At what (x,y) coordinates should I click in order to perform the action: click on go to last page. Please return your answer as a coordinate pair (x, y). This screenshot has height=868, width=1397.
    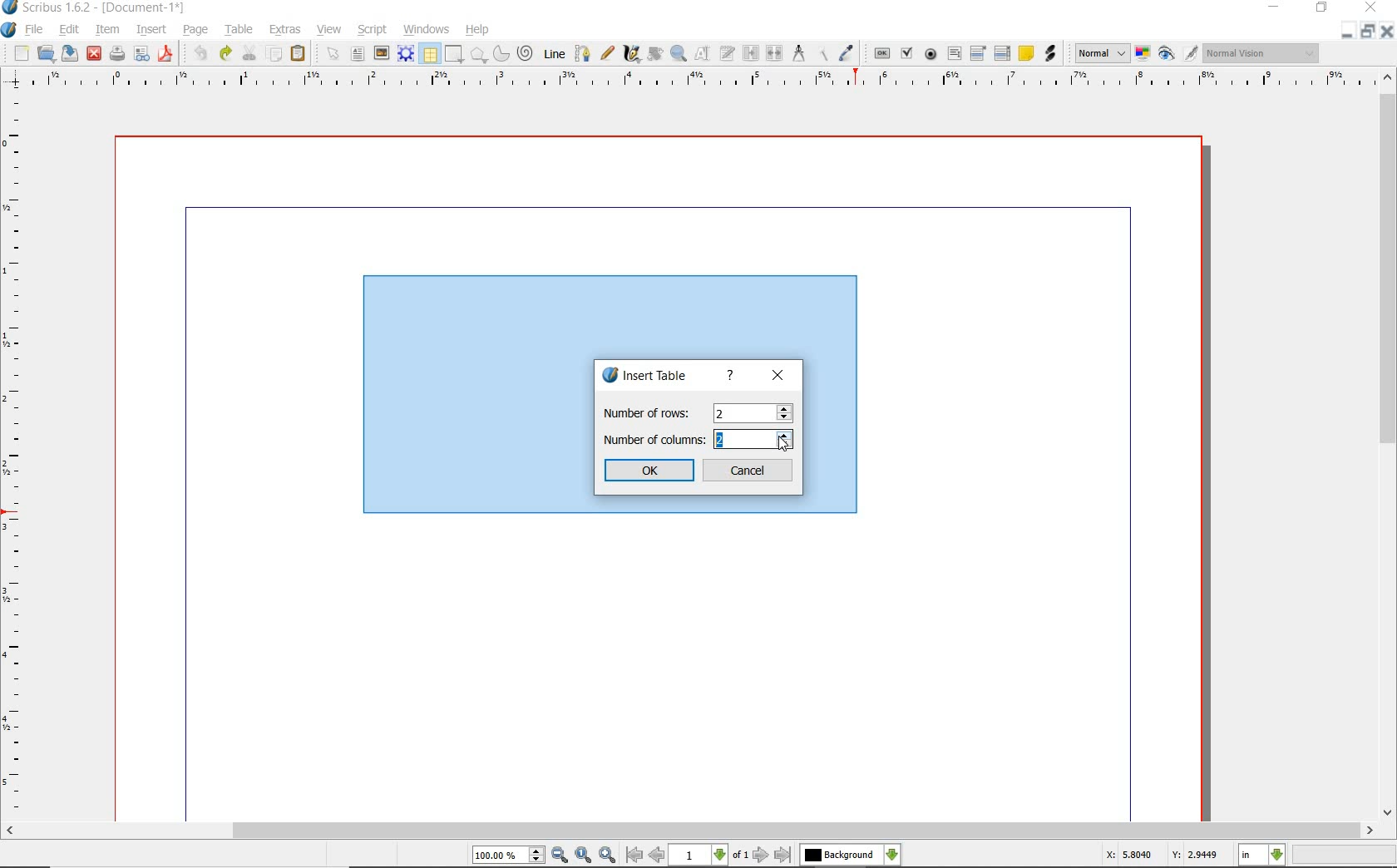
    Looking at the image, I should click on (784, 855).